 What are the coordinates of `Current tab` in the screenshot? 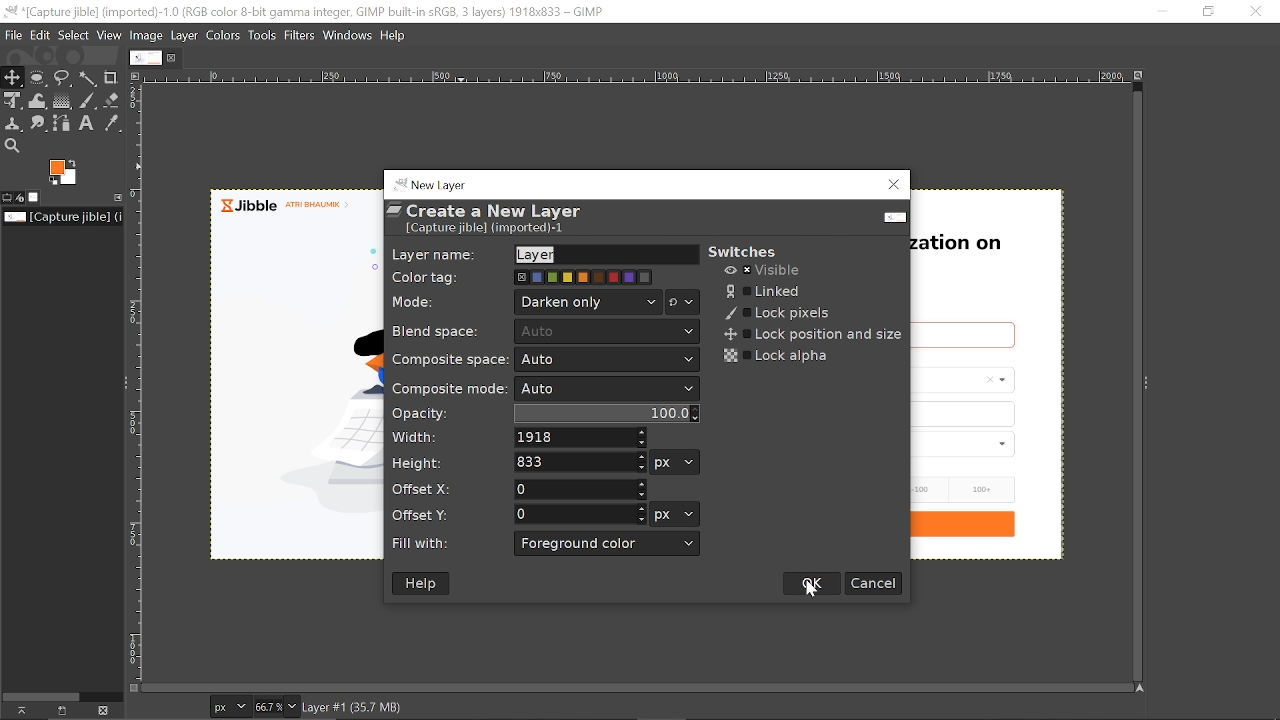 It's located at (146, 57).